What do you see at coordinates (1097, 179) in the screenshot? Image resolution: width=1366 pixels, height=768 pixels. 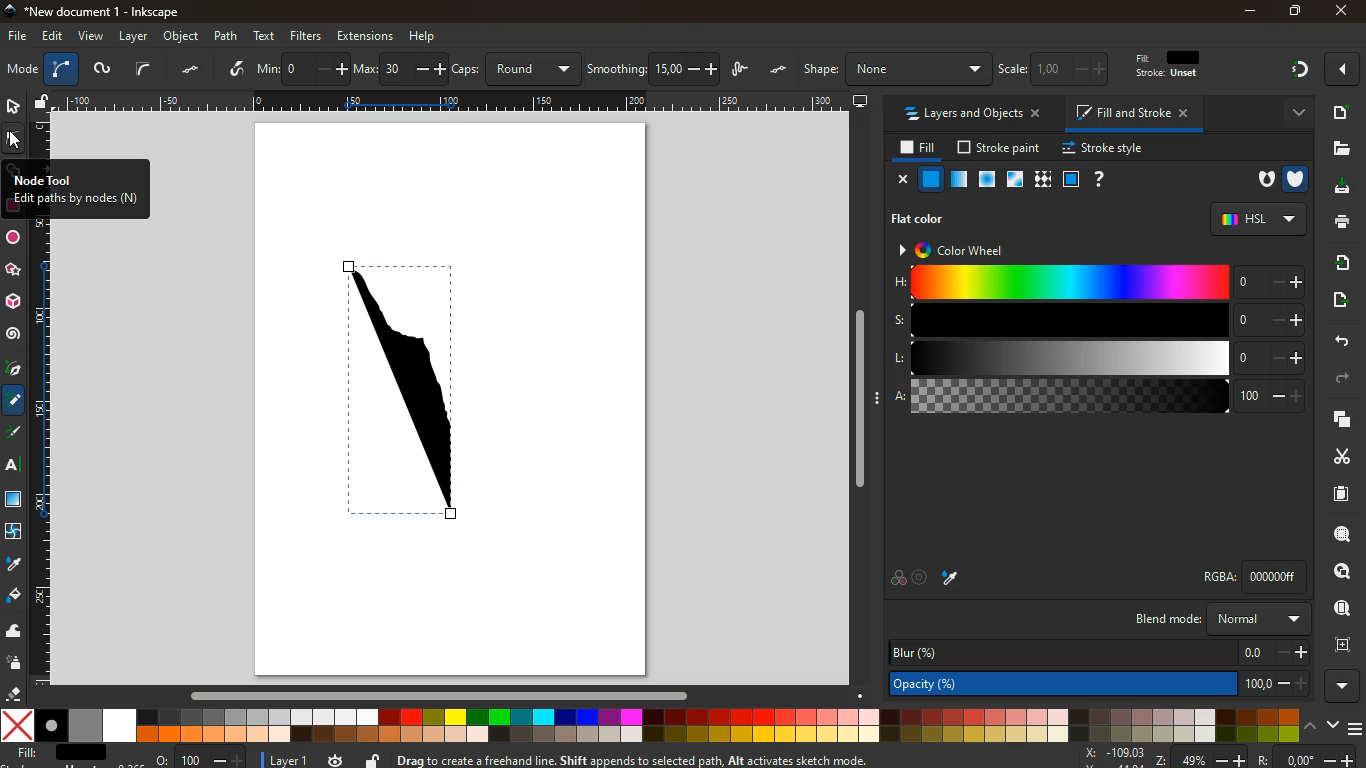 I see `help` at bounding box center [1097, 179].